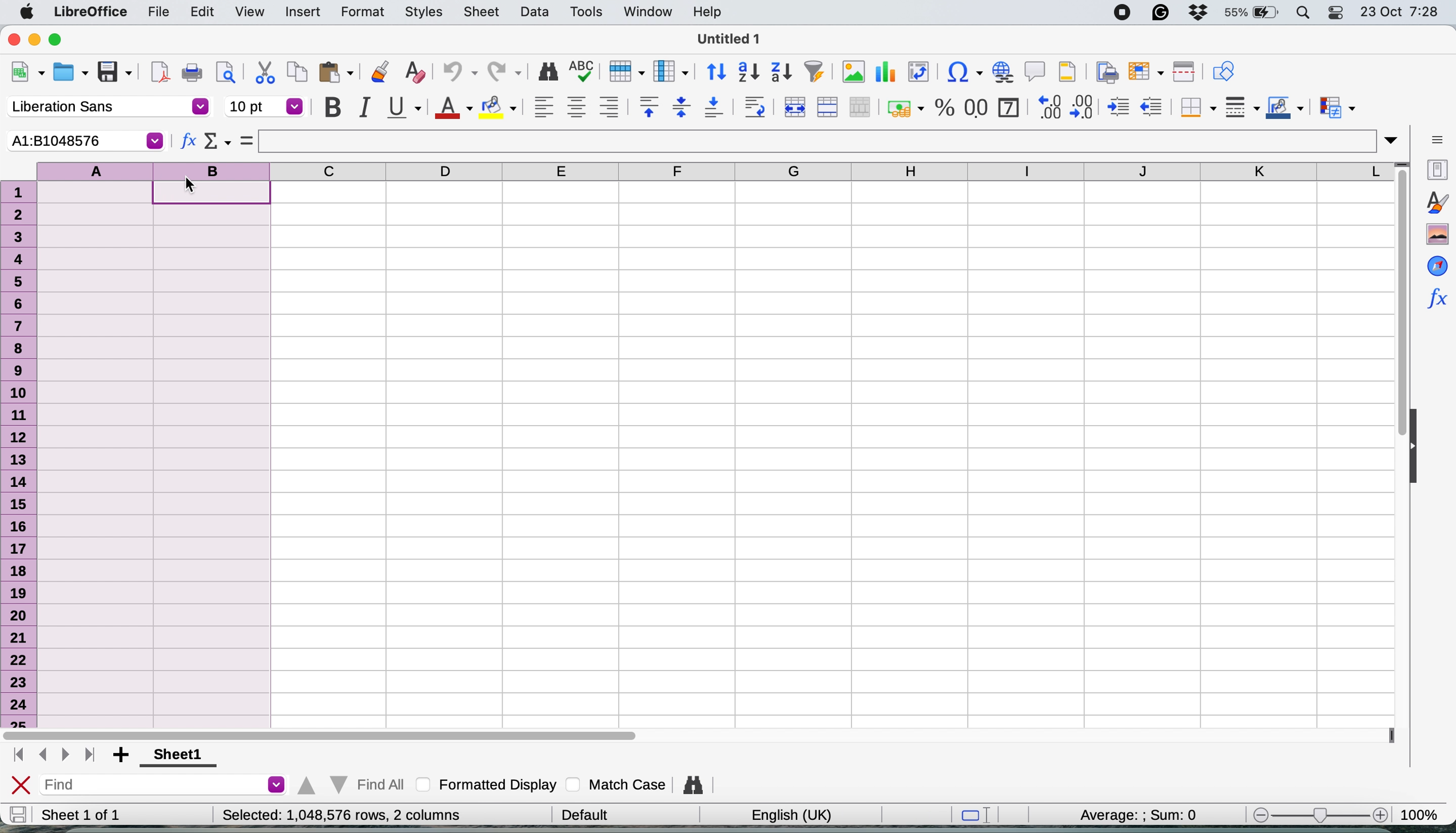 The image size is (1456, 833). Describe the element at coordinates (597, 815) in the screenshot. I see `| Default` at that location.